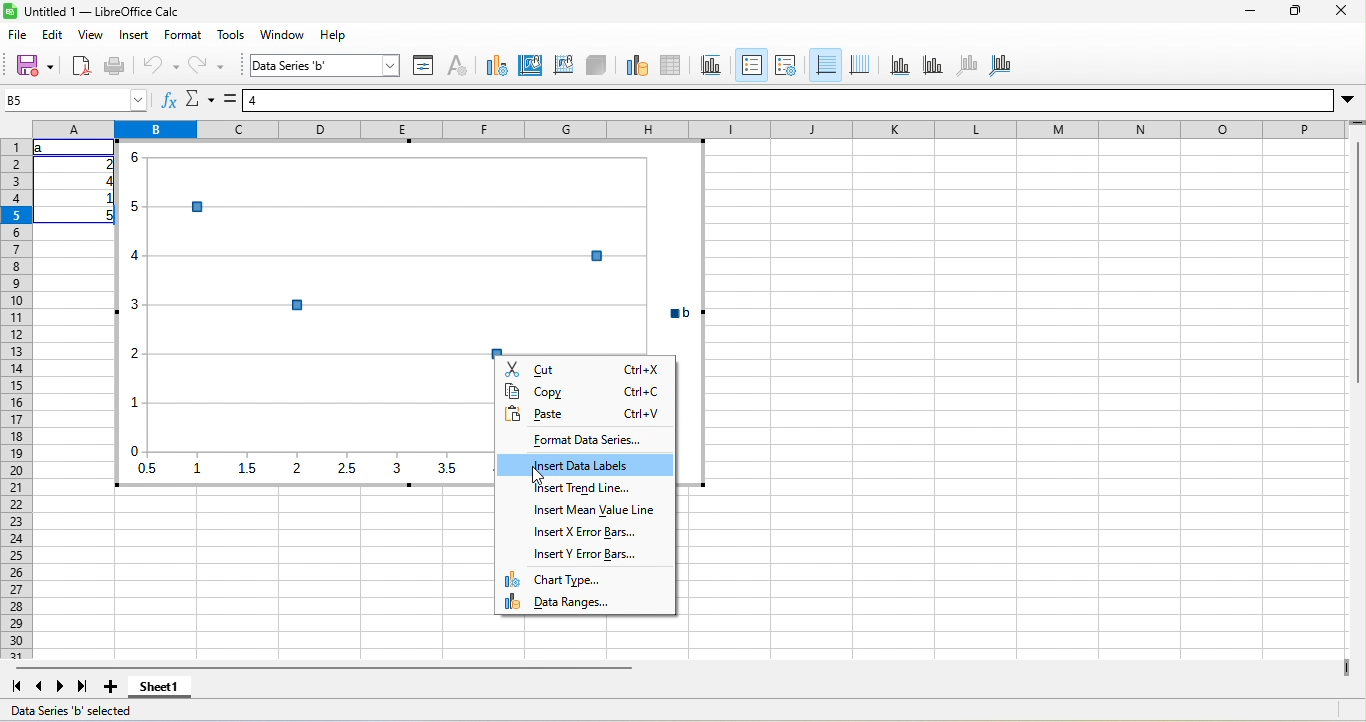  Describe the element at coordinates (83, 686) in the screenshot. I see `last sheet` at that location.